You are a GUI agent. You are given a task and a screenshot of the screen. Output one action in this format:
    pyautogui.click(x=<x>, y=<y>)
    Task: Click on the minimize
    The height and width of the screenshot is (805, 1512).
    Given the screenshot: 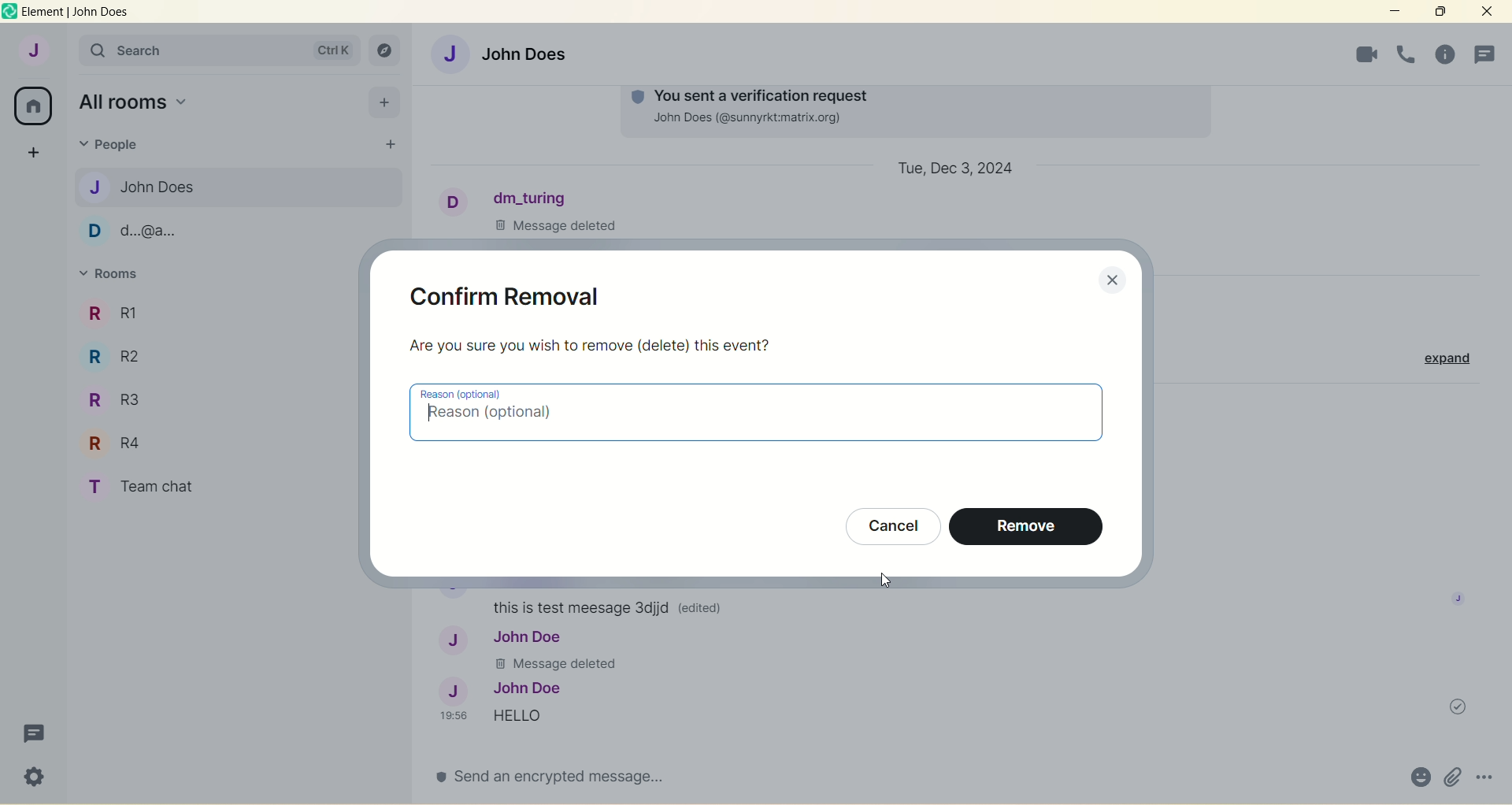 What is the action you would take?
    pyautogui.click(x=1392, y=11)
    